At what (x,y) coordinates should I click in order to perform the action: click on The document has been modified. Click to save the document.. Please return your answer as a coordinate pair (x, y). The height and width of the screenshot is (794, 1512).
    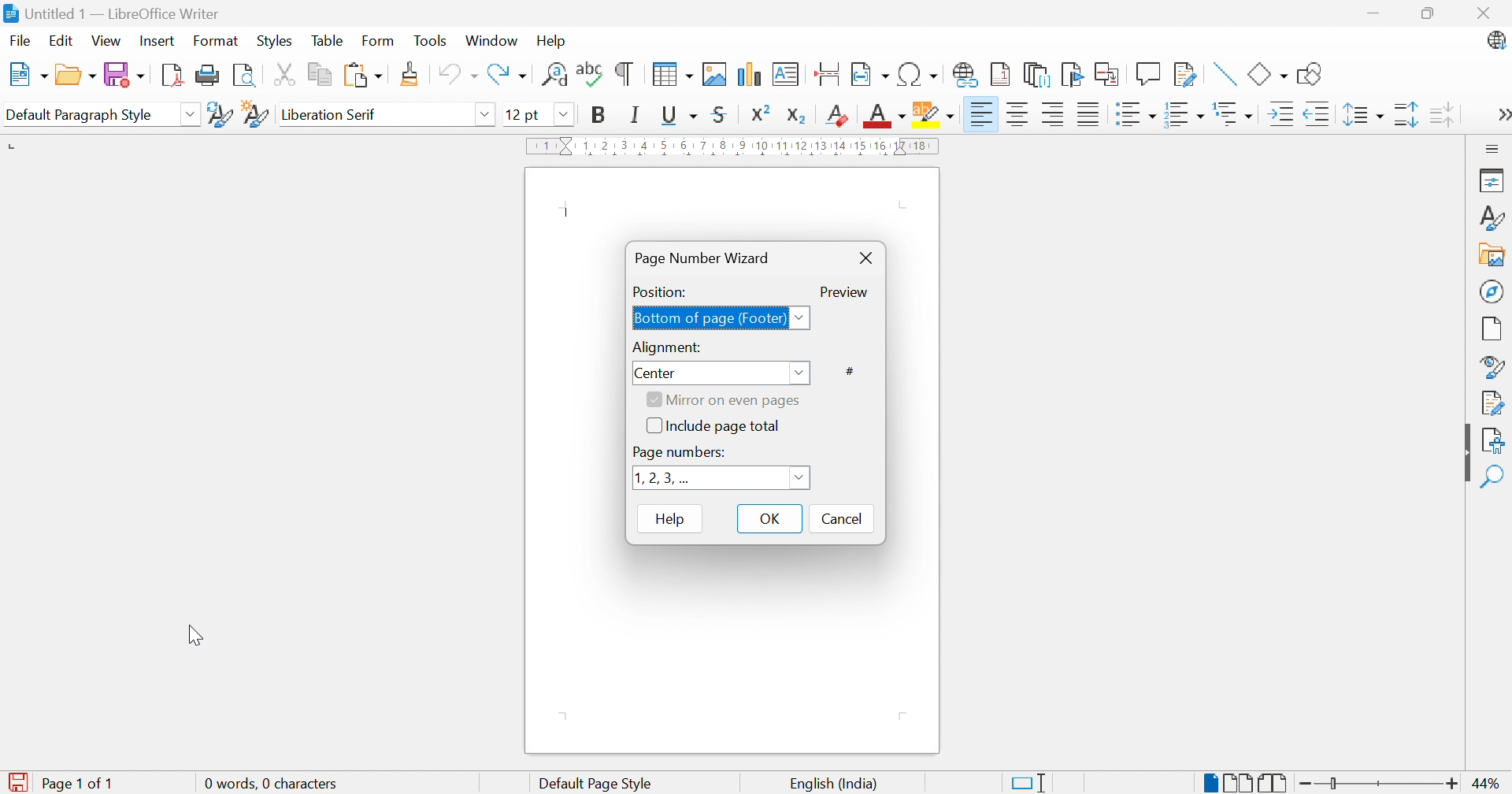
    Looking at the image, I should click on (15, 783).